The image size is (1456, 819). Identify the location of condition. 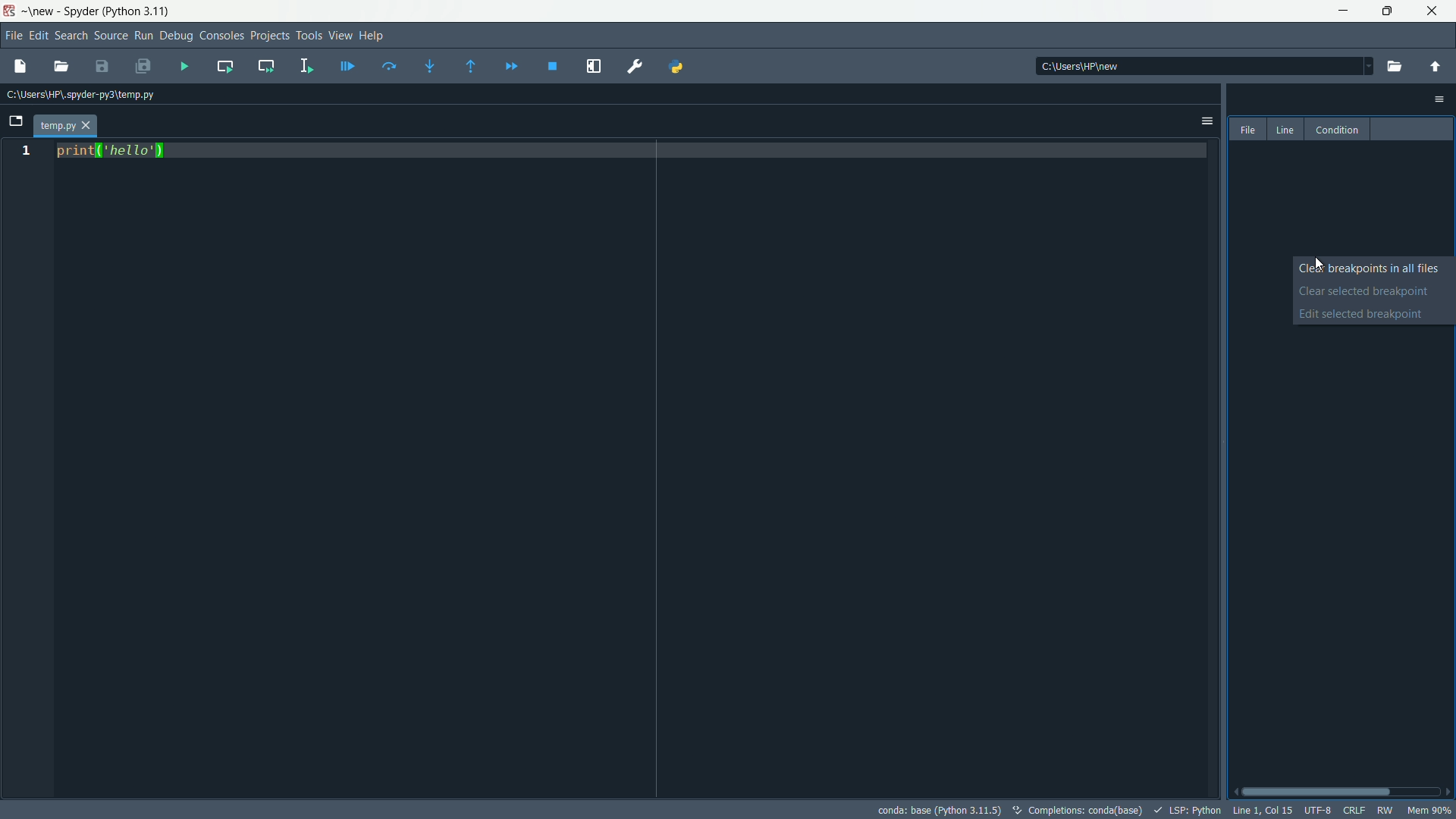
(1335, 129).